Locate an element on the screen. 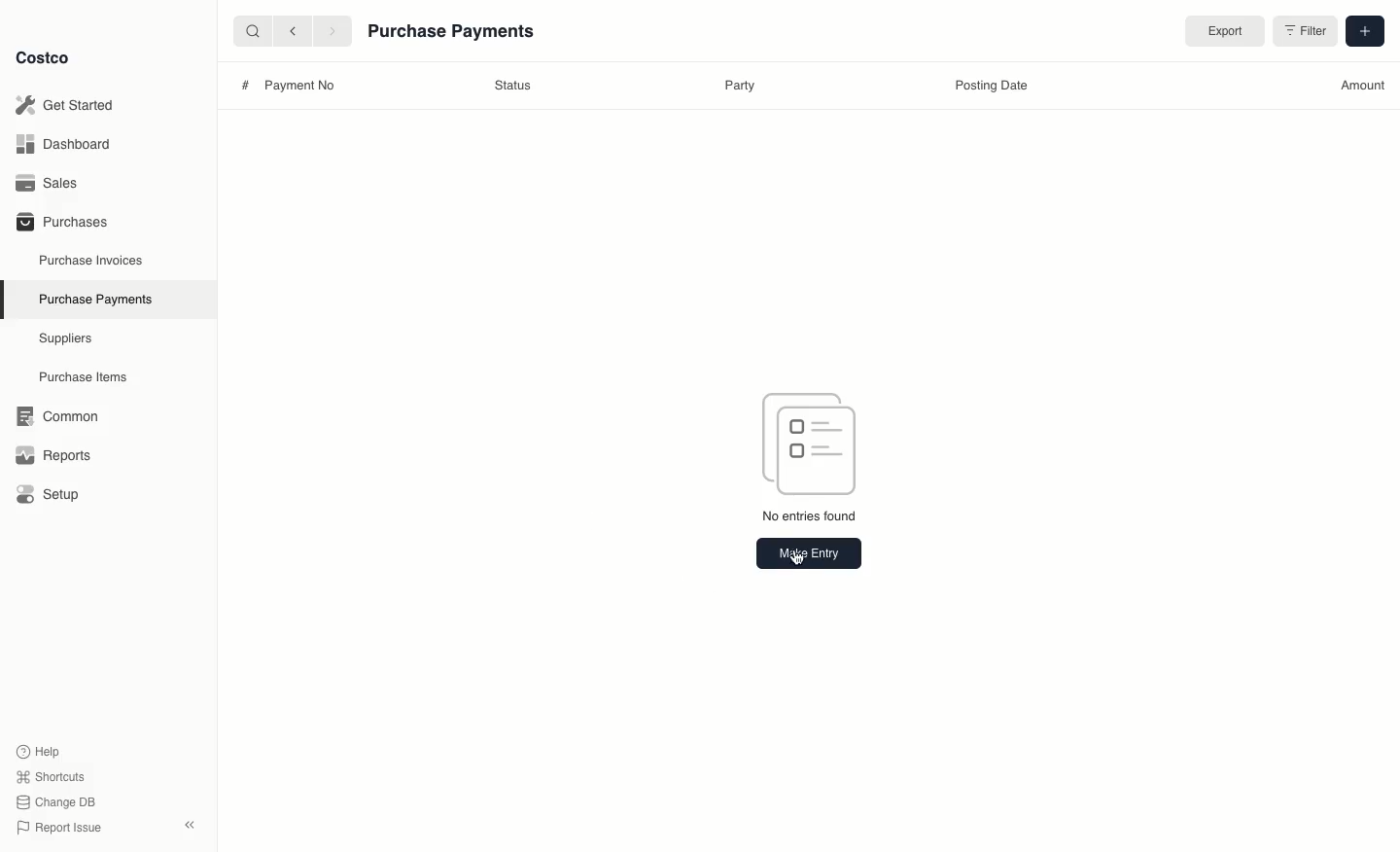 The image size is (1400, 852). collapse is located at coordinates (189, 825).